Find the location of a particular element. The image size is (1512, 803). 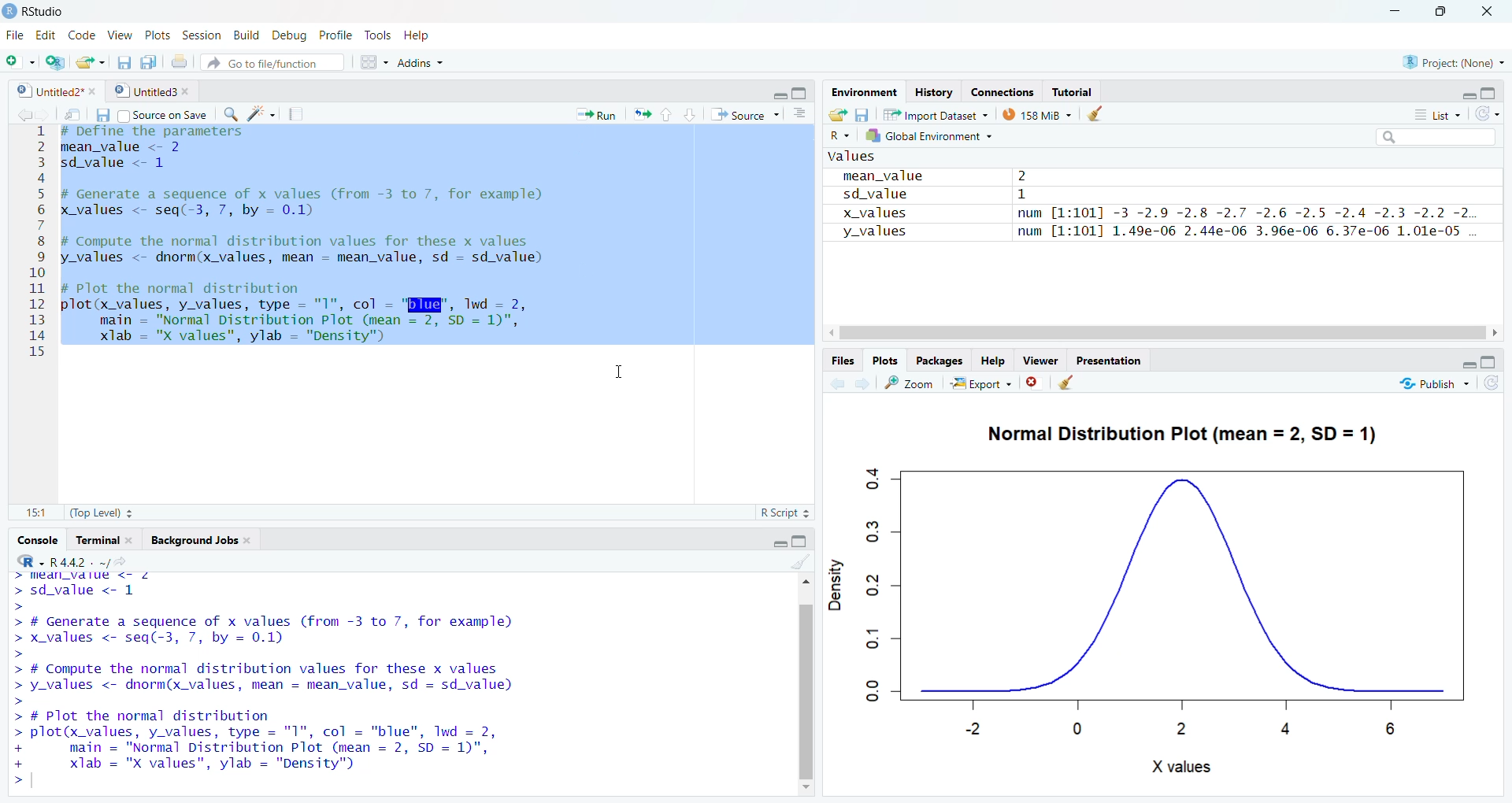

Global Environment is located at coordinates (928, 135).